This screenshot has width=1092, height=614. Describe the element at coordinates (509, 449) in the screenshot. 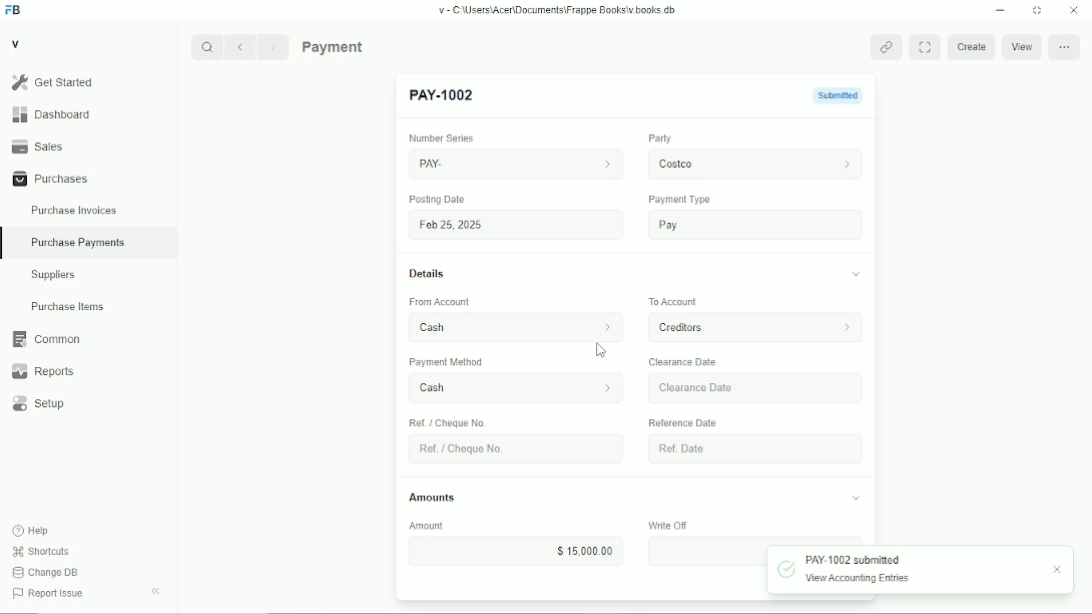

I see `Ret. Choque No.` at that location.